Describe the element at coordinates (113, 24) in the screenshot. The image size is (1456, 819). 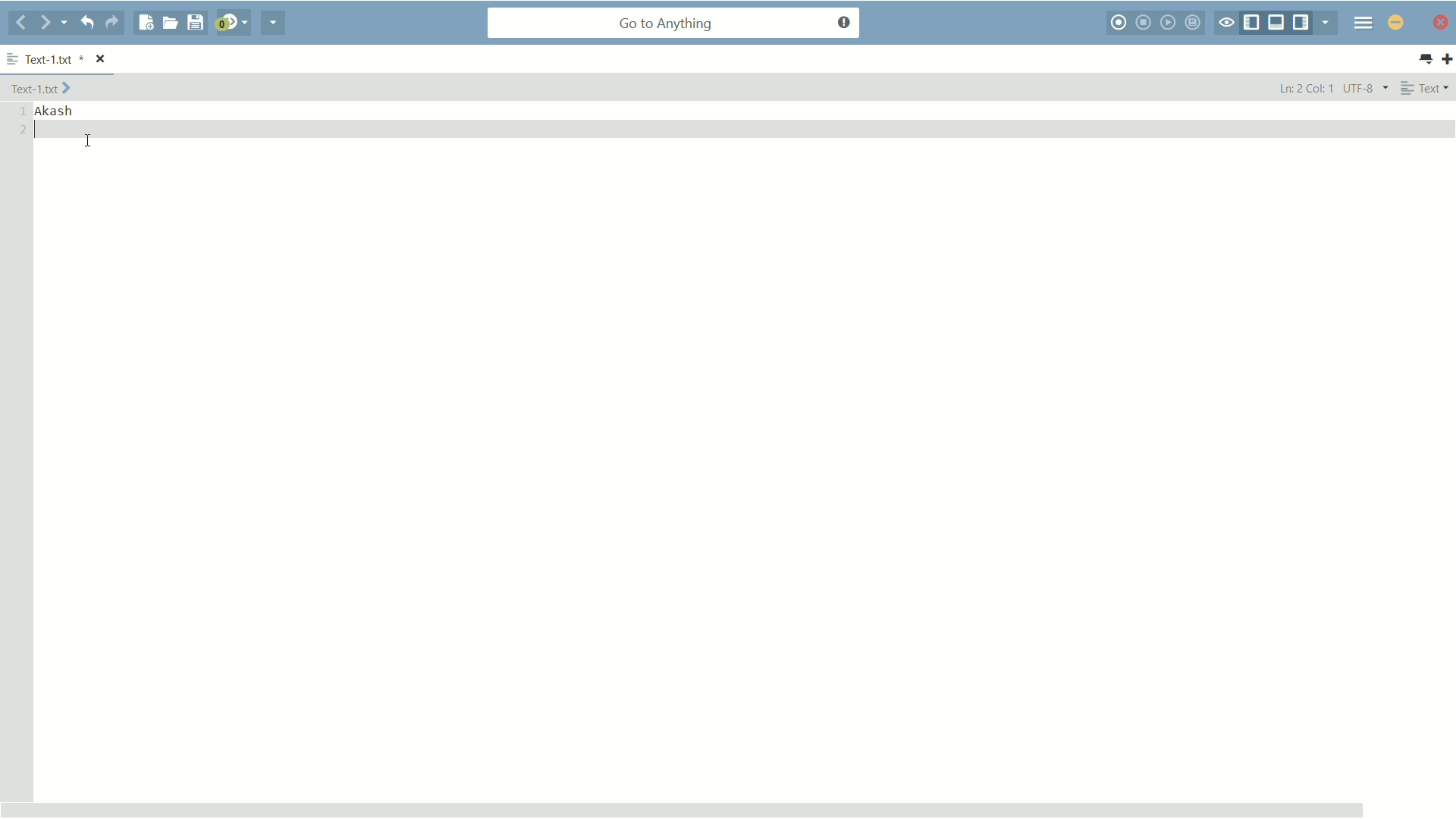
I see `redo` at that location.